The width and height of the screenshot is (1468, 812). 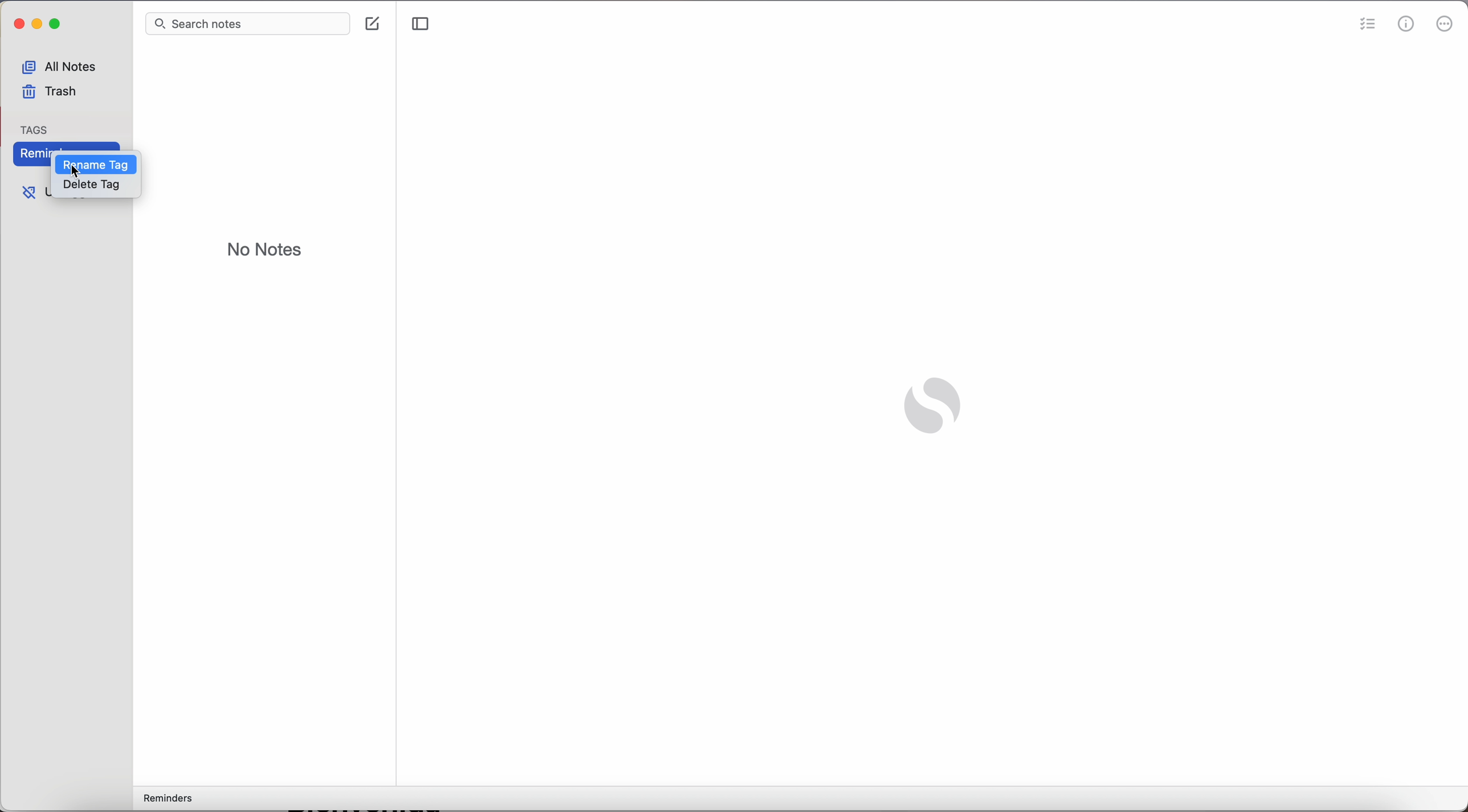 I want to click on cursor, so click(x=69, y=170).